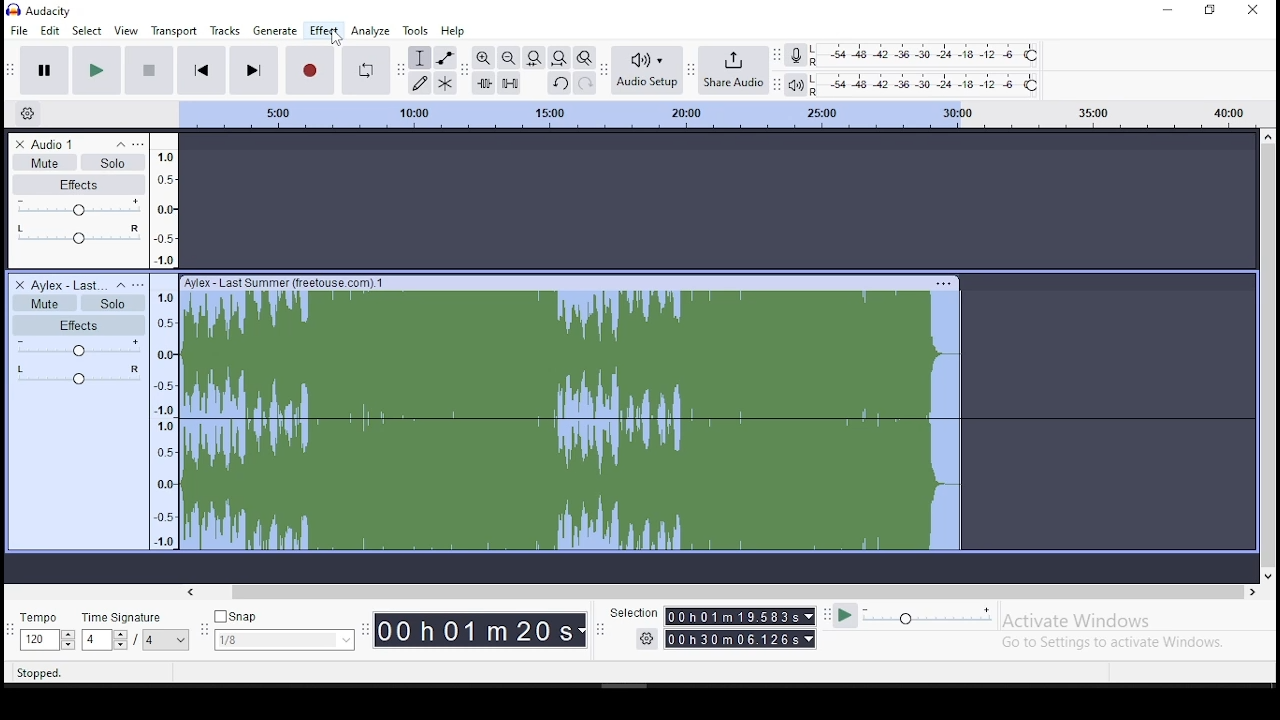 Image resolution: width=1280 pixels, height=720 pixels. What do you see at coordinates (418, 83) in the screenshot?
I see `draw tool` at bounding box center [418, 83].